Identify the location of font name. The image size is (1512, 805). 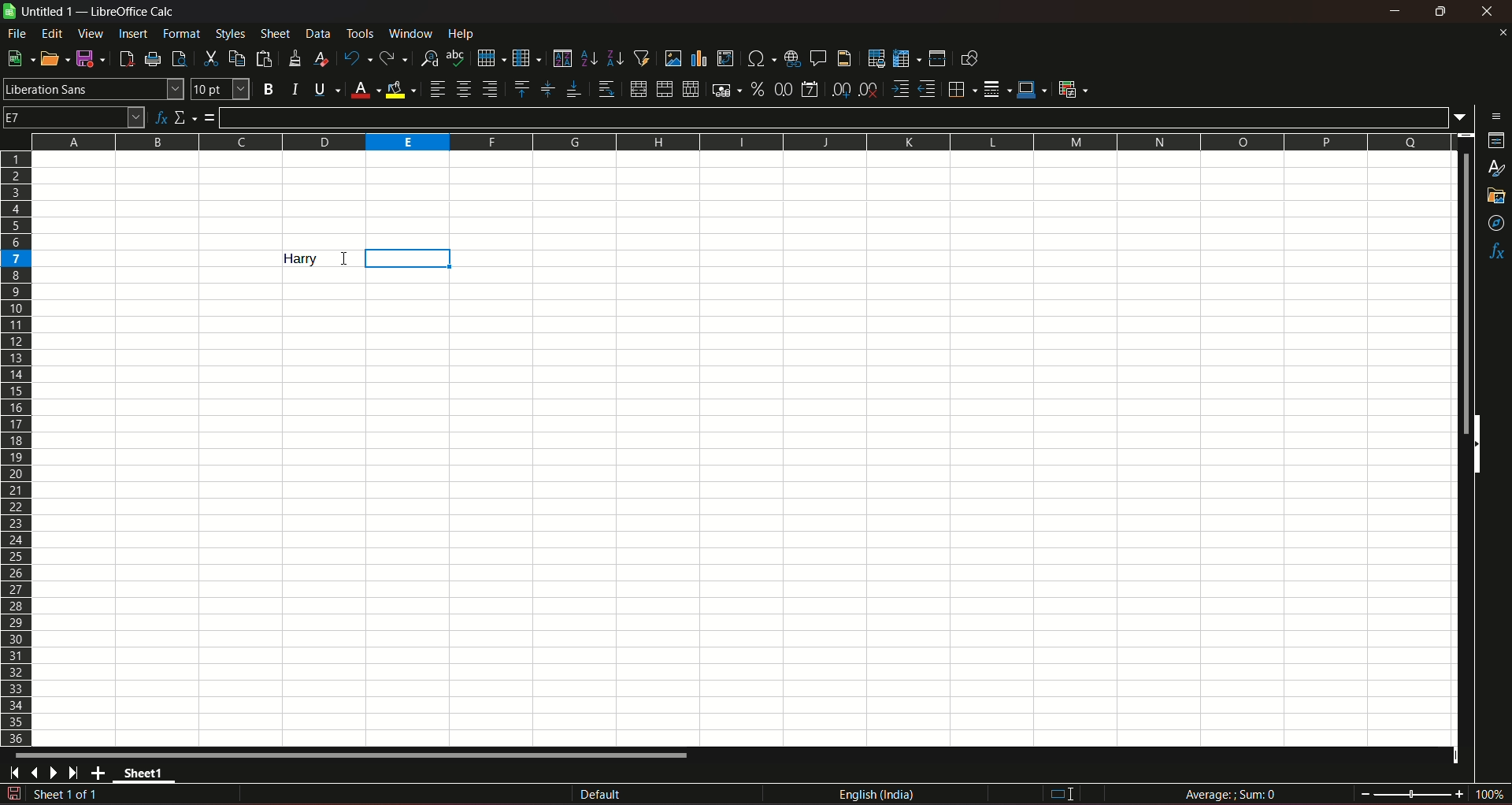
(93, 88).